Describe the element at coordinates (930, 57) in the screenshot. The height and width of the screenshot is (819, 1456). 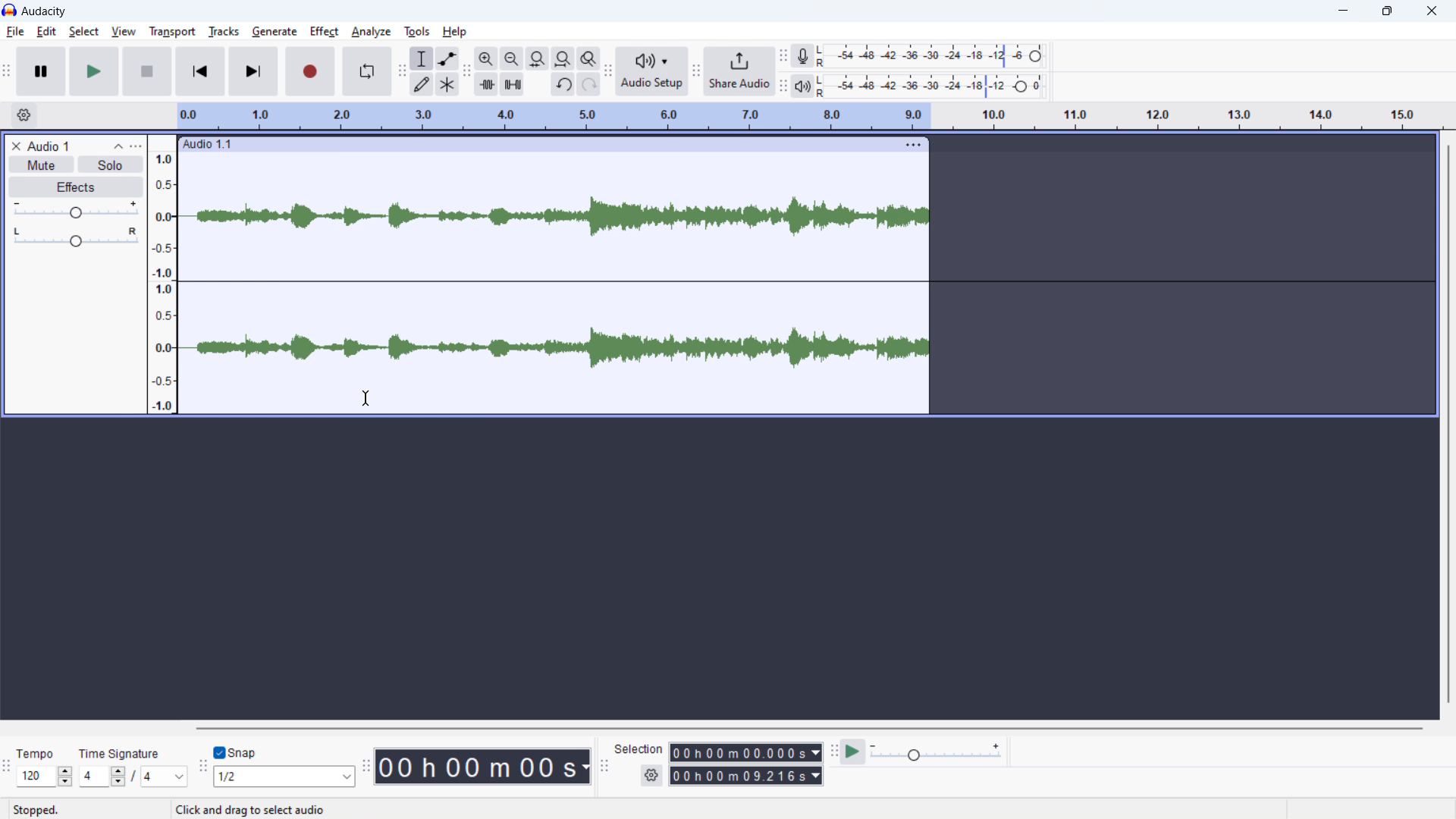
I see `recording level` at that location.